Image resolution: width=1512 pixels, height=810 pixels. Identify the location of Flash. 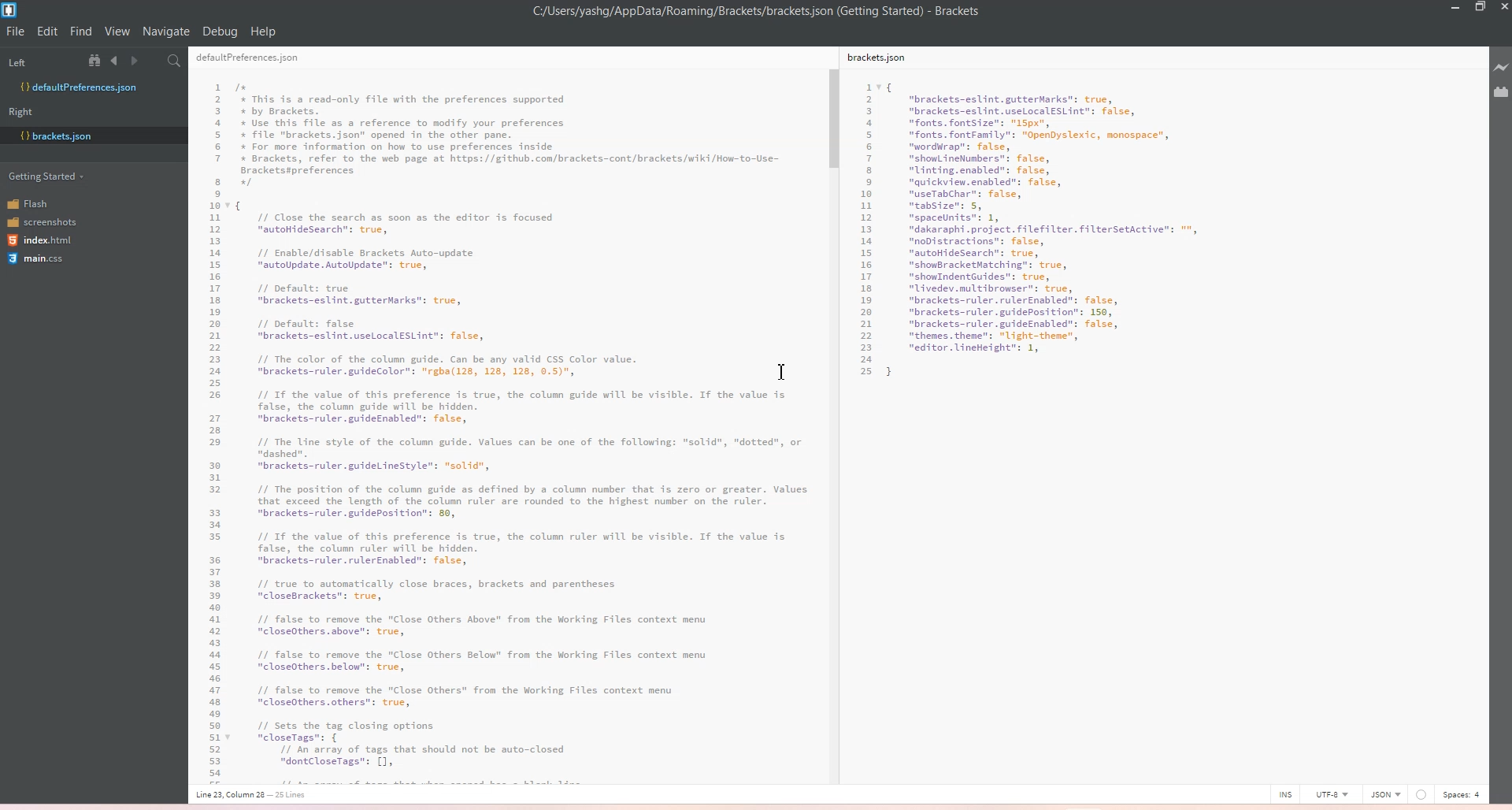
(39, 202).